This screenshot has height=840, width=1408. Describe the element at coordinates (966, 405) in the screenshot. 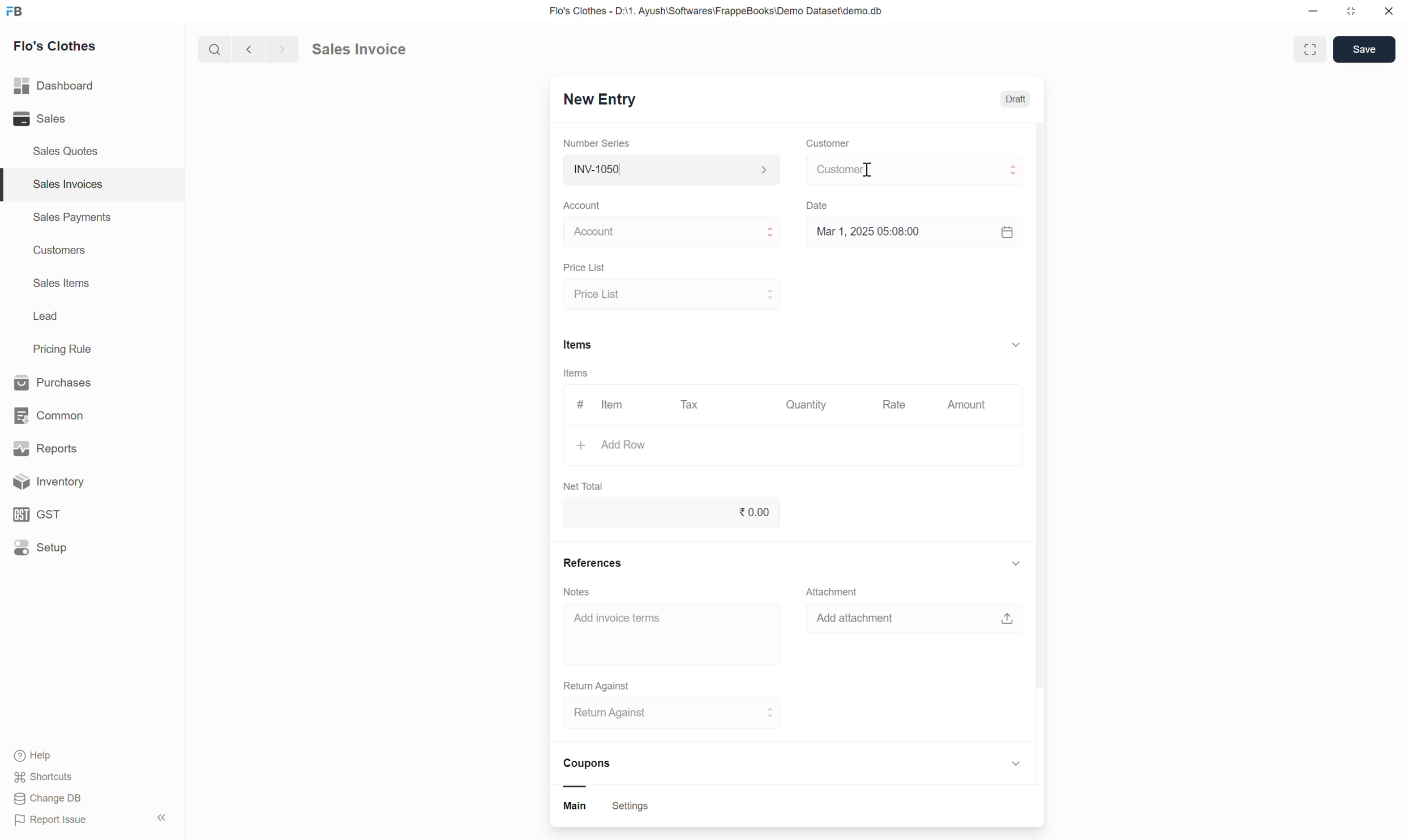

I see `Amount` at that location.